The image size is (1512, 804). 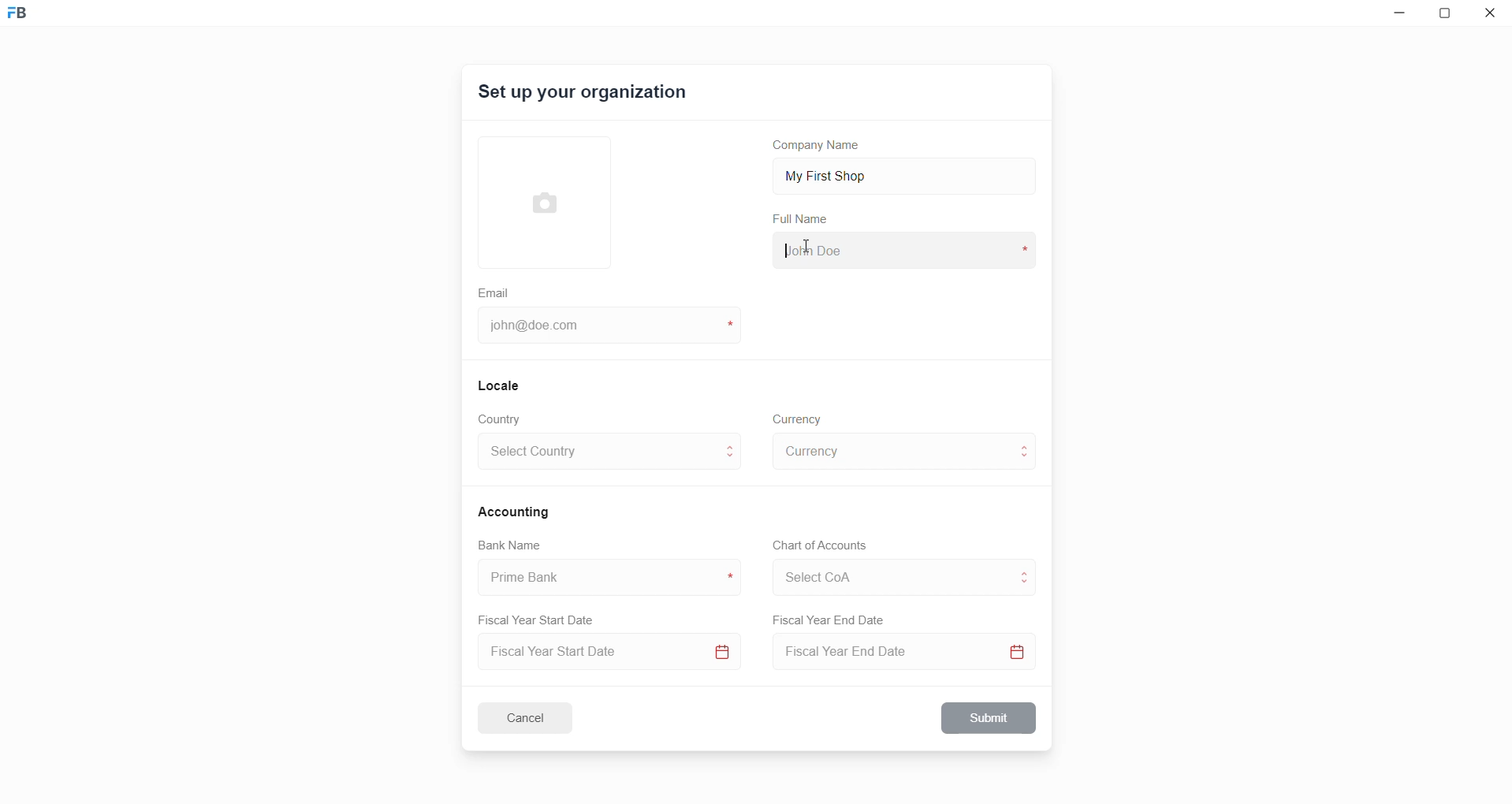 I want to click on close, so click(x=1491, y=16).